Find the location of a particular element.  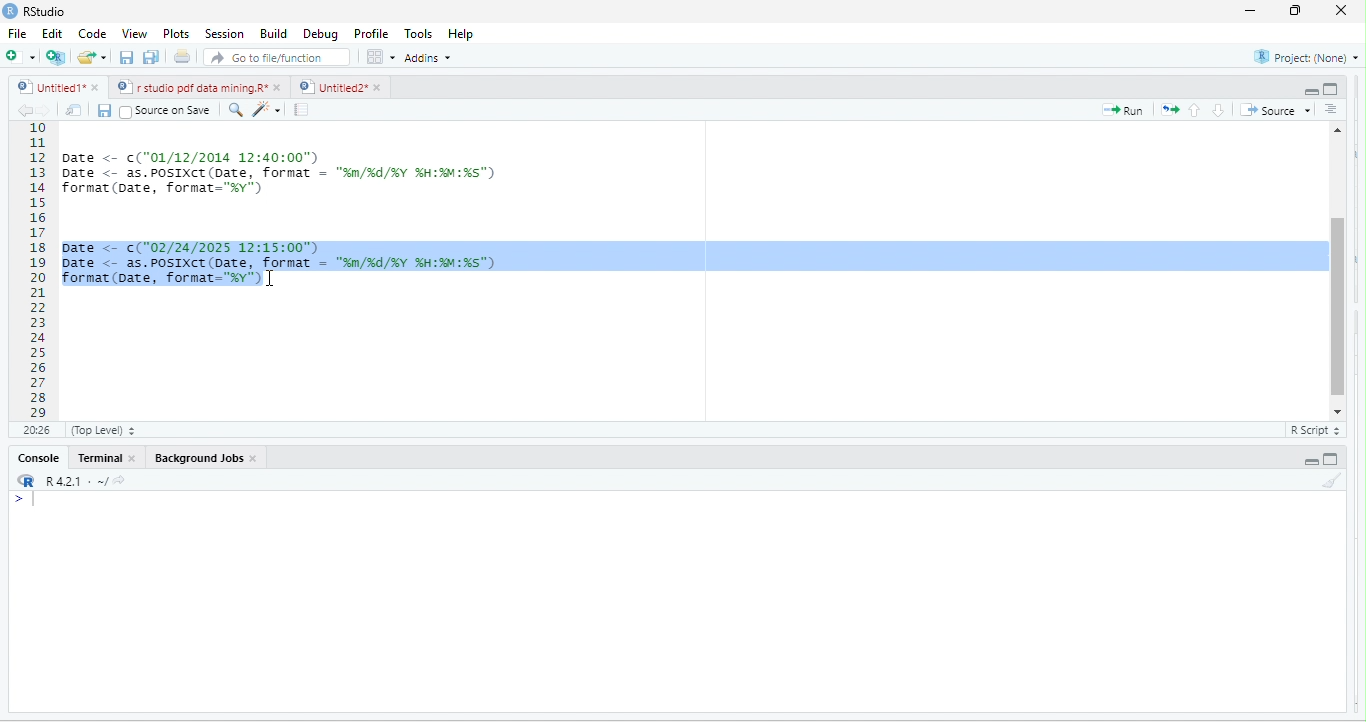

 cursor movement is located at coordinates (269, 280).